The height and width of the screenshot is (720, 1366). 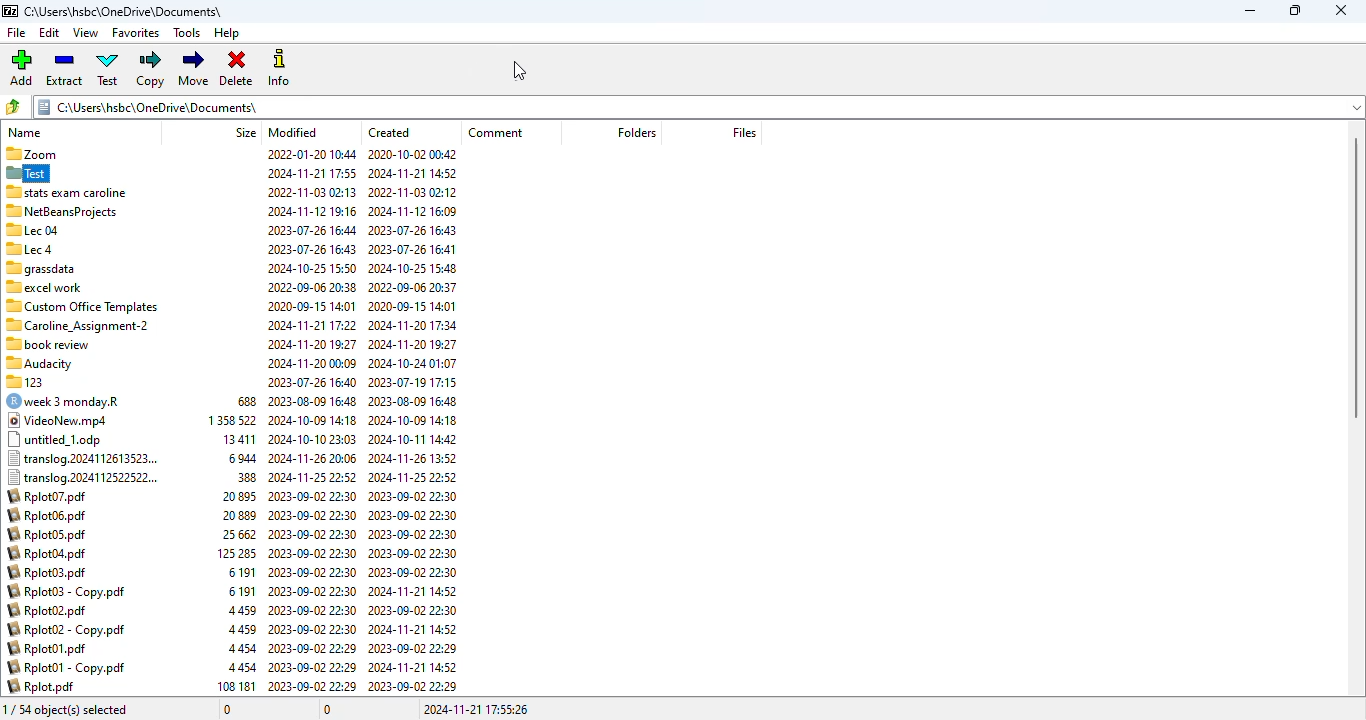 I want to click on 2023-09-02 22:30, so click(x=313, y=591).